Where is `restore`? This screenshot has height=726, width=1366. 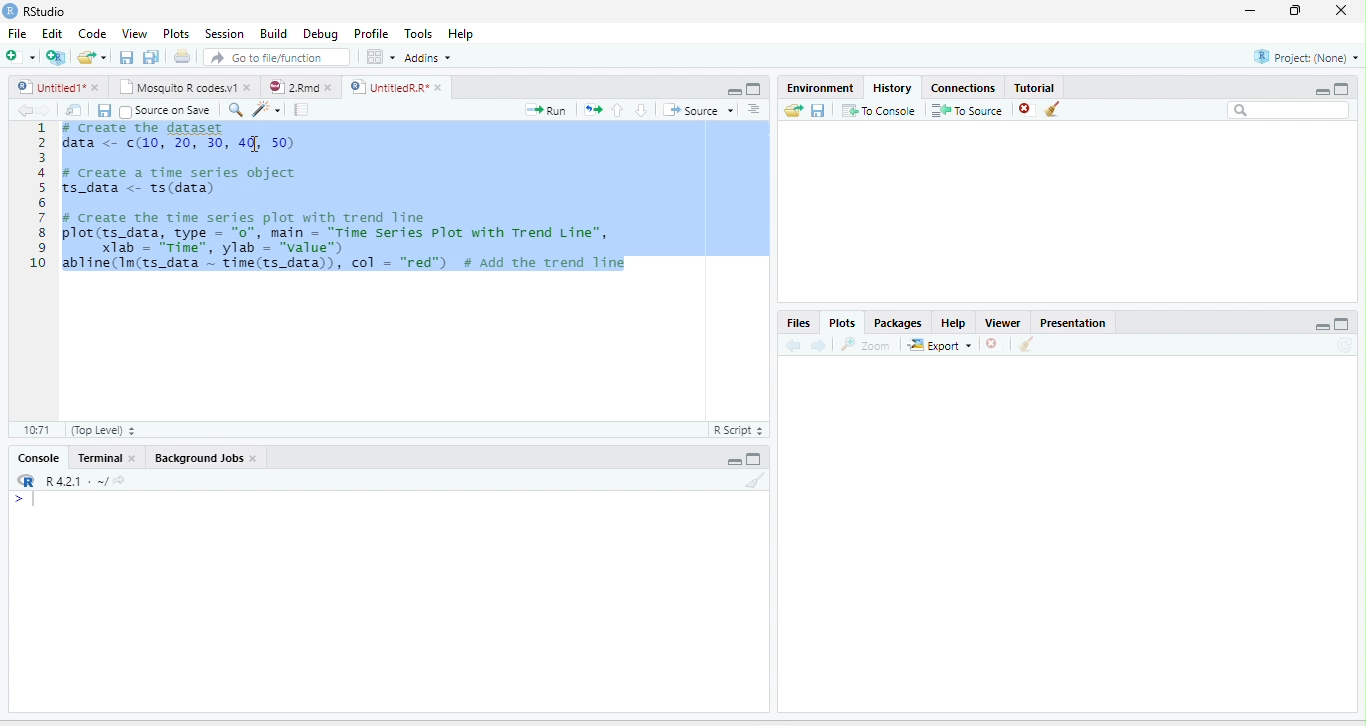 restore is located at coordinates (1296, 11).